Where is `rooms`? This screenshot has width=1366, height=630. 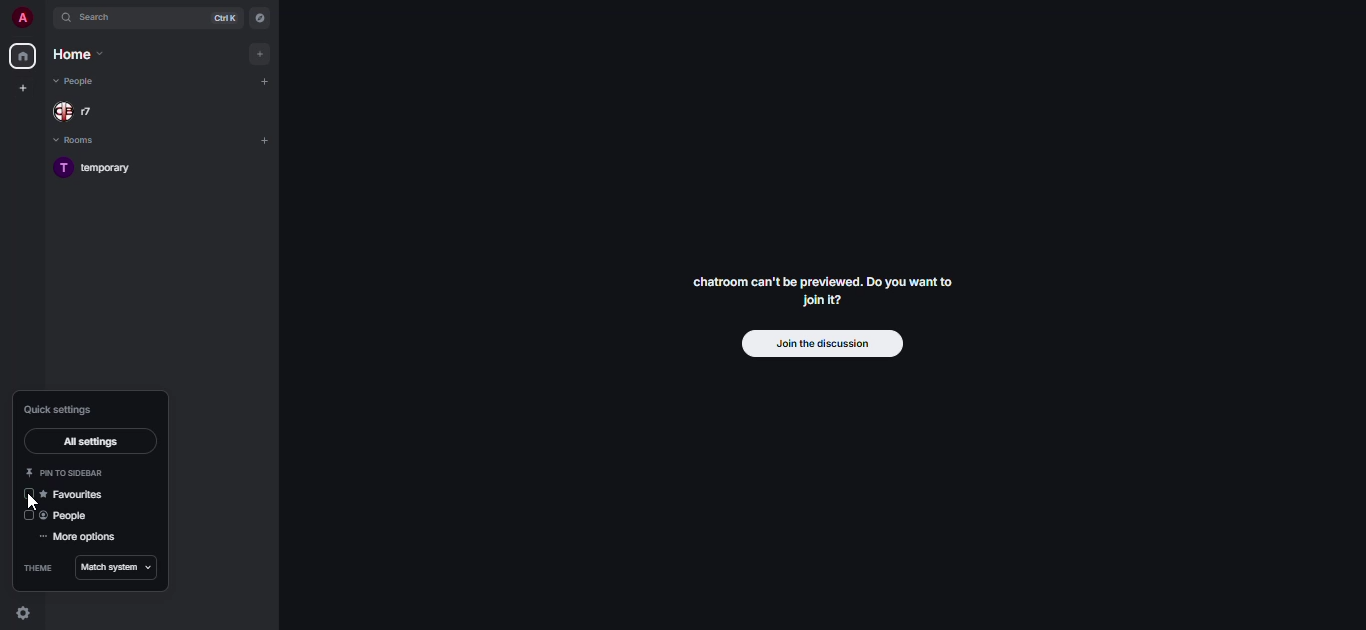 rooms is located at coordinates (72, 142).